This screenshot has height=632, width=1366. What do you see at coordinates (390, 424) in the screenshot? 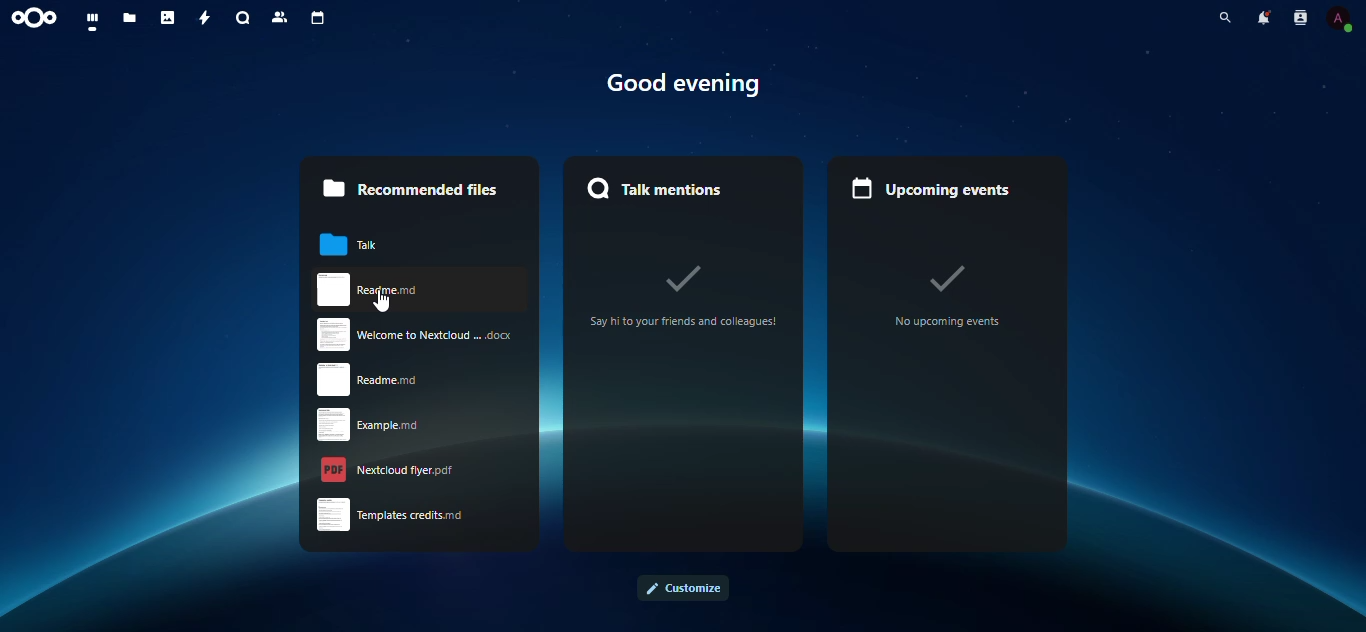
I see `Example.md` at bounding box center [390, 424].